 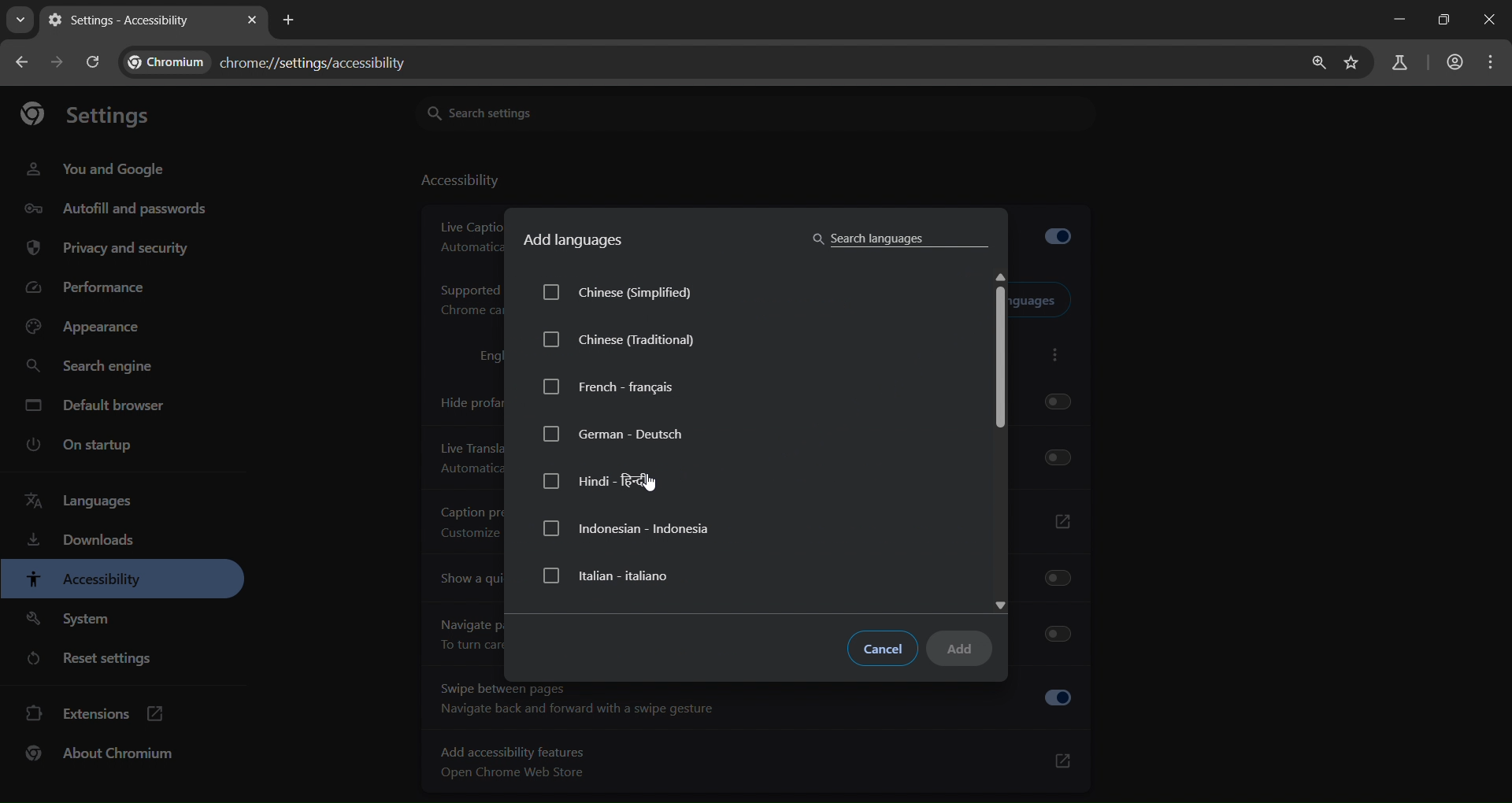 I want to click on French - francais, so click(x=610, y=387).